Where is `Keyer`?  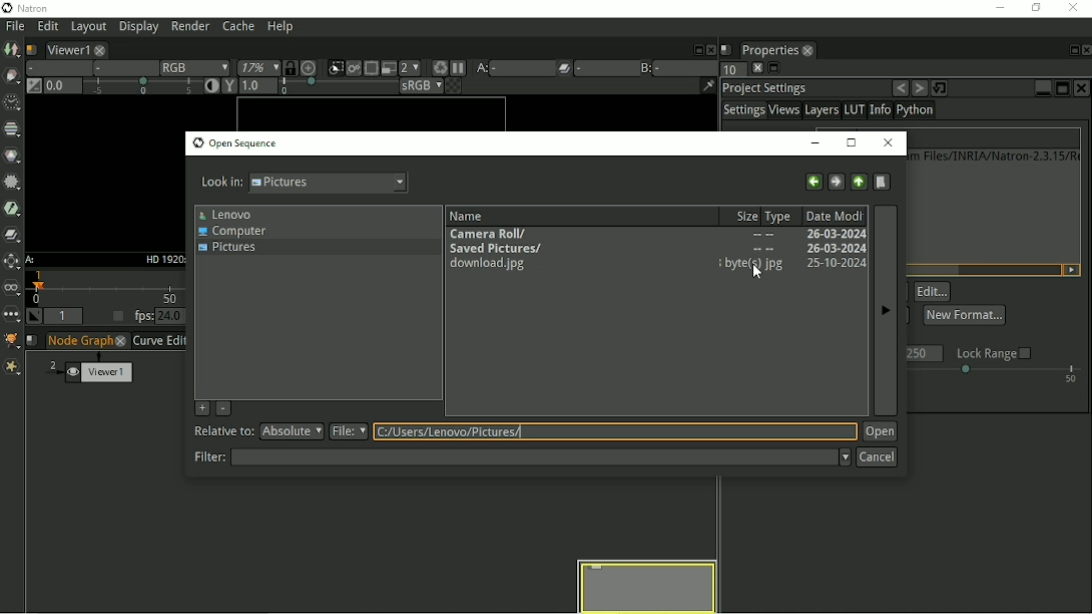
Keyer is located at coordinates (12, 207).